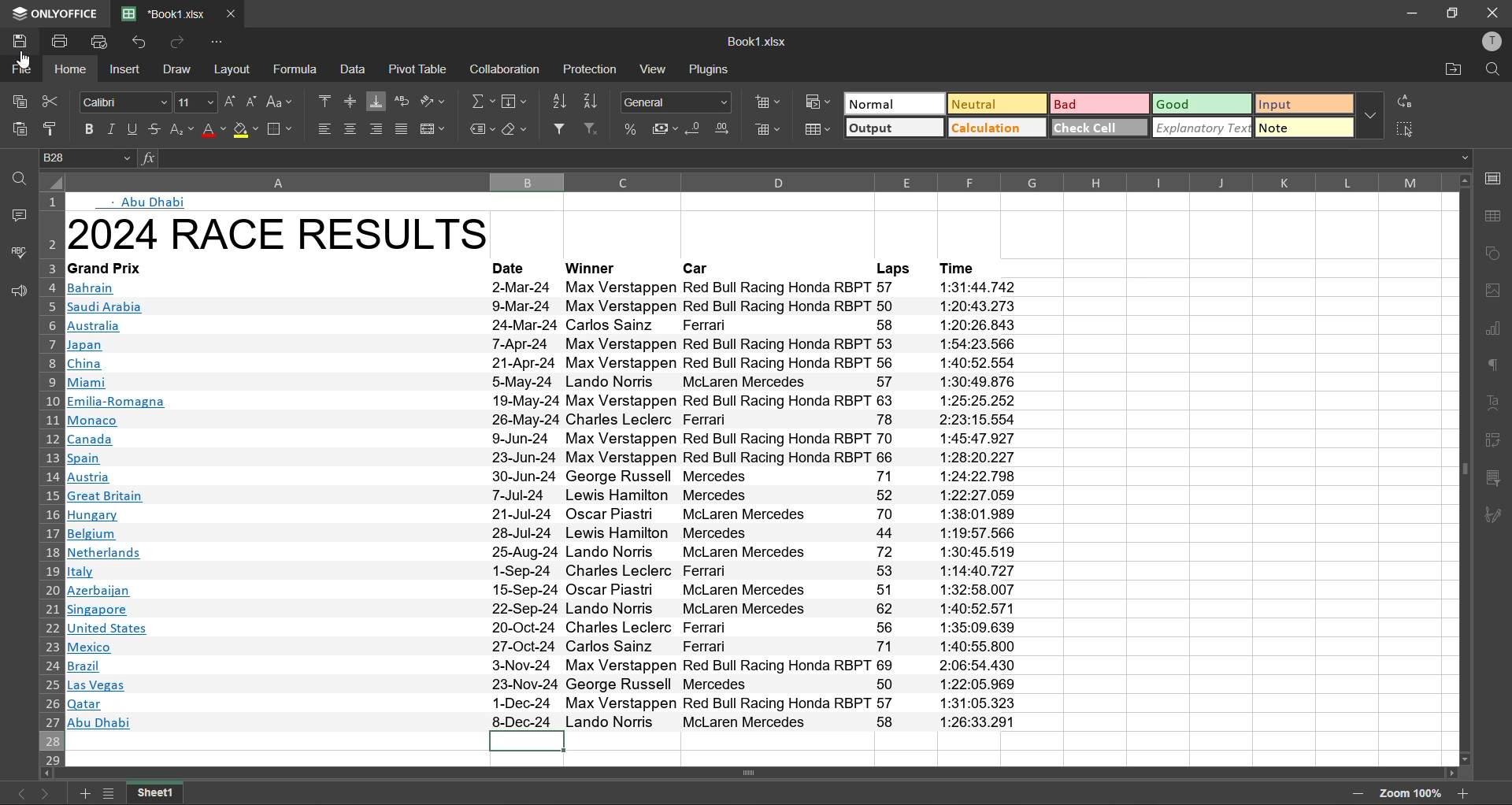 The width and height of the screenshot is (1512, 805). Describe the element at coordinates (547, 383) in the screenshot. I see `Miami 5-May-24 Lando Norris McLaren Mercedes 57 1:30:49.876` at that location.